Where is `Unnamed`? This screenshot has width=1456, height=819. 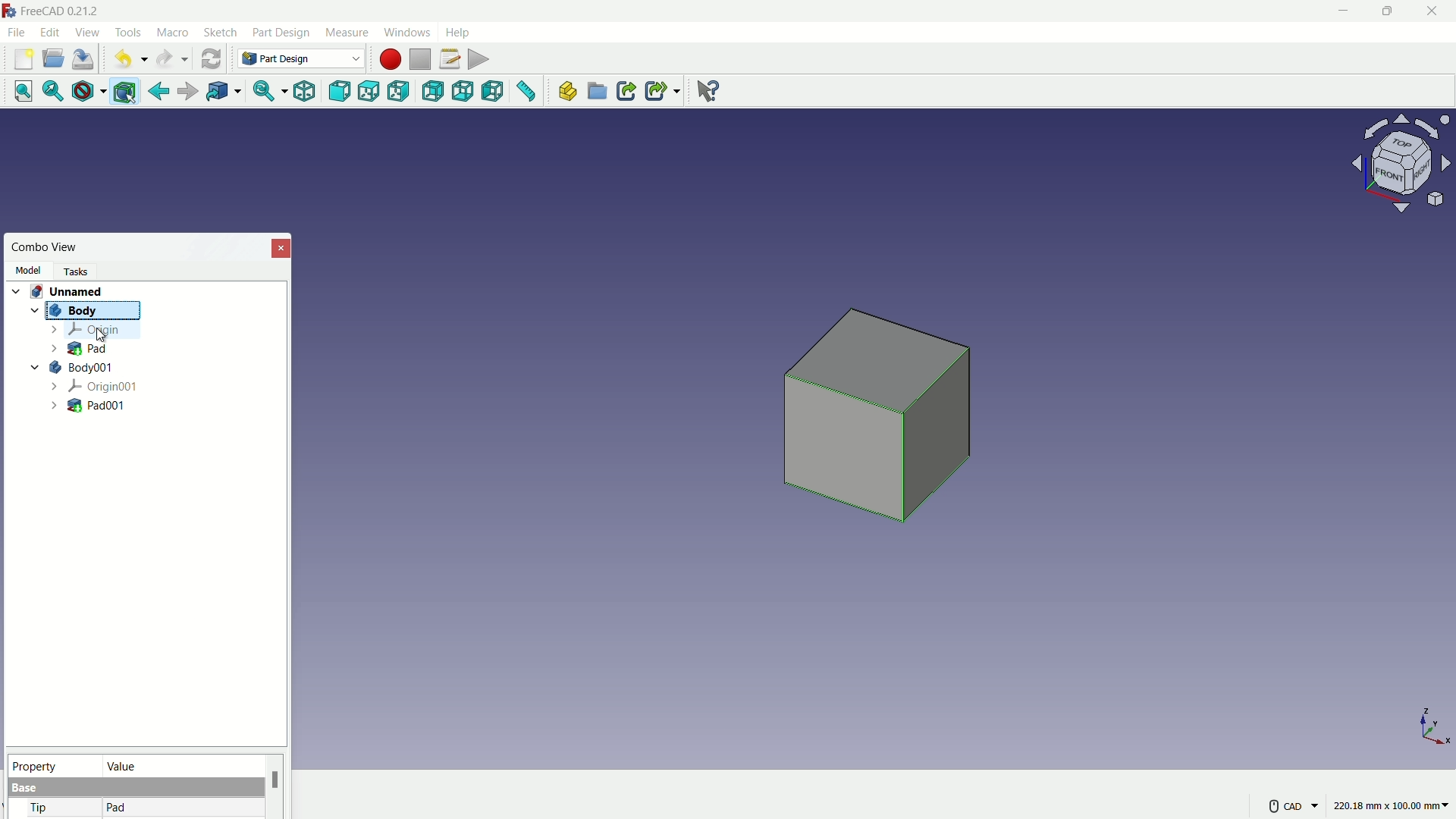 Unnamed is located at coordinates (72, 290).